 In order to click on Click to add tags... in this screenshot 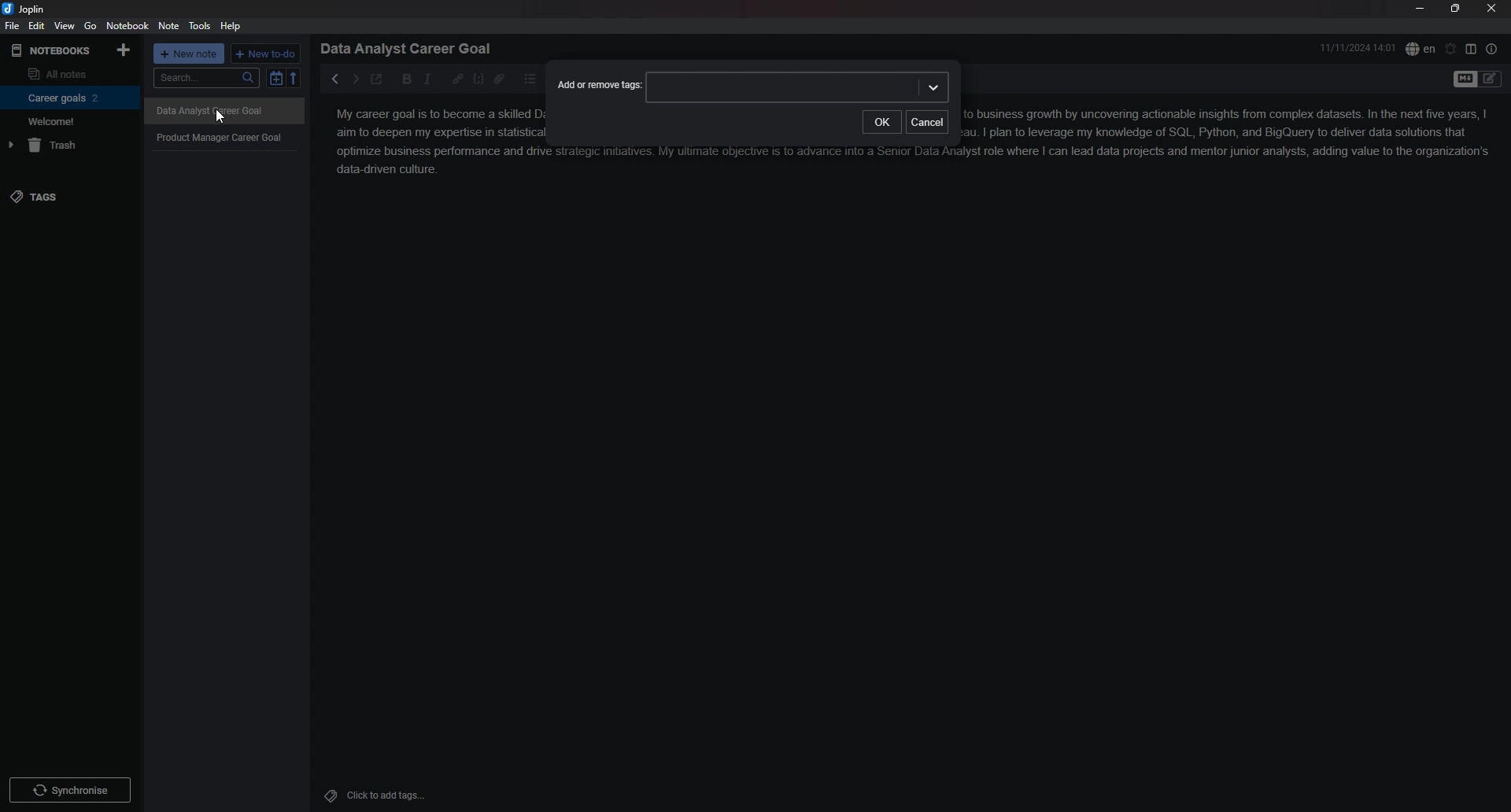, I will do `click(386, 795)`.